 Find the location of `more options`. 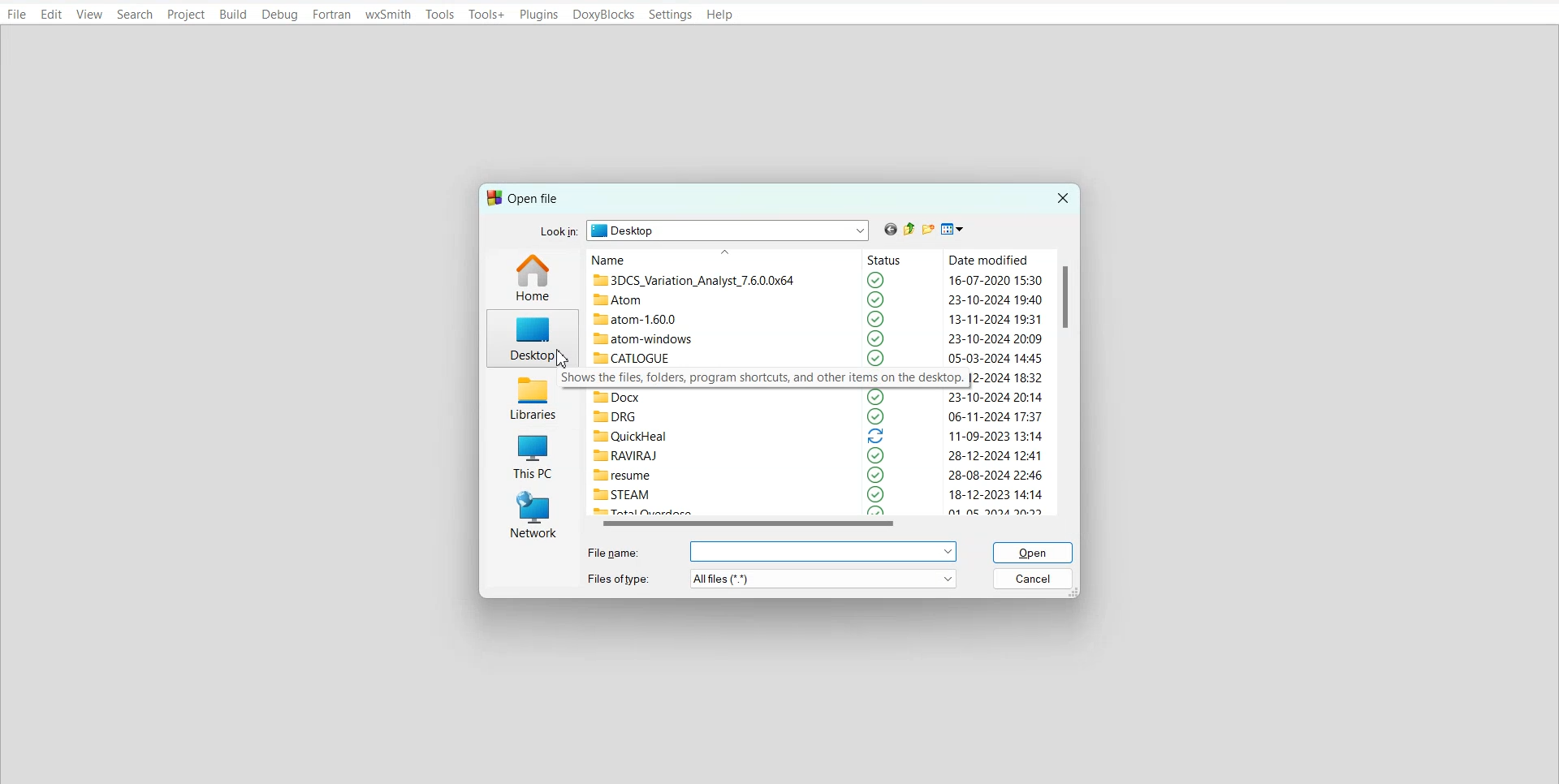

more options is located at coordinates (821, 579).